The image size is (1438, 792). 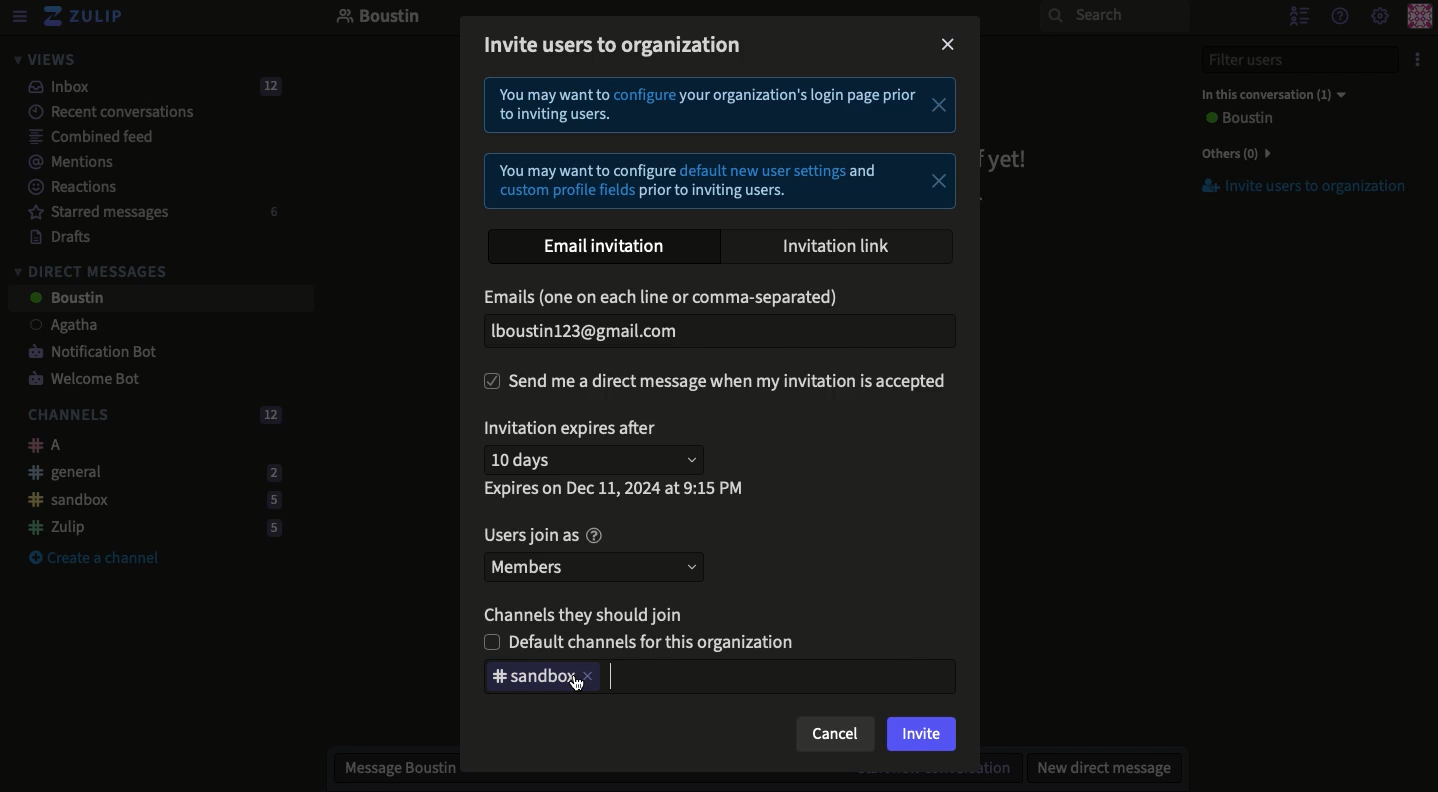 What do you see at coordinates (1269, 94) in the screenshot?
I see `In this conversation` at bounding box center [1269, 94].